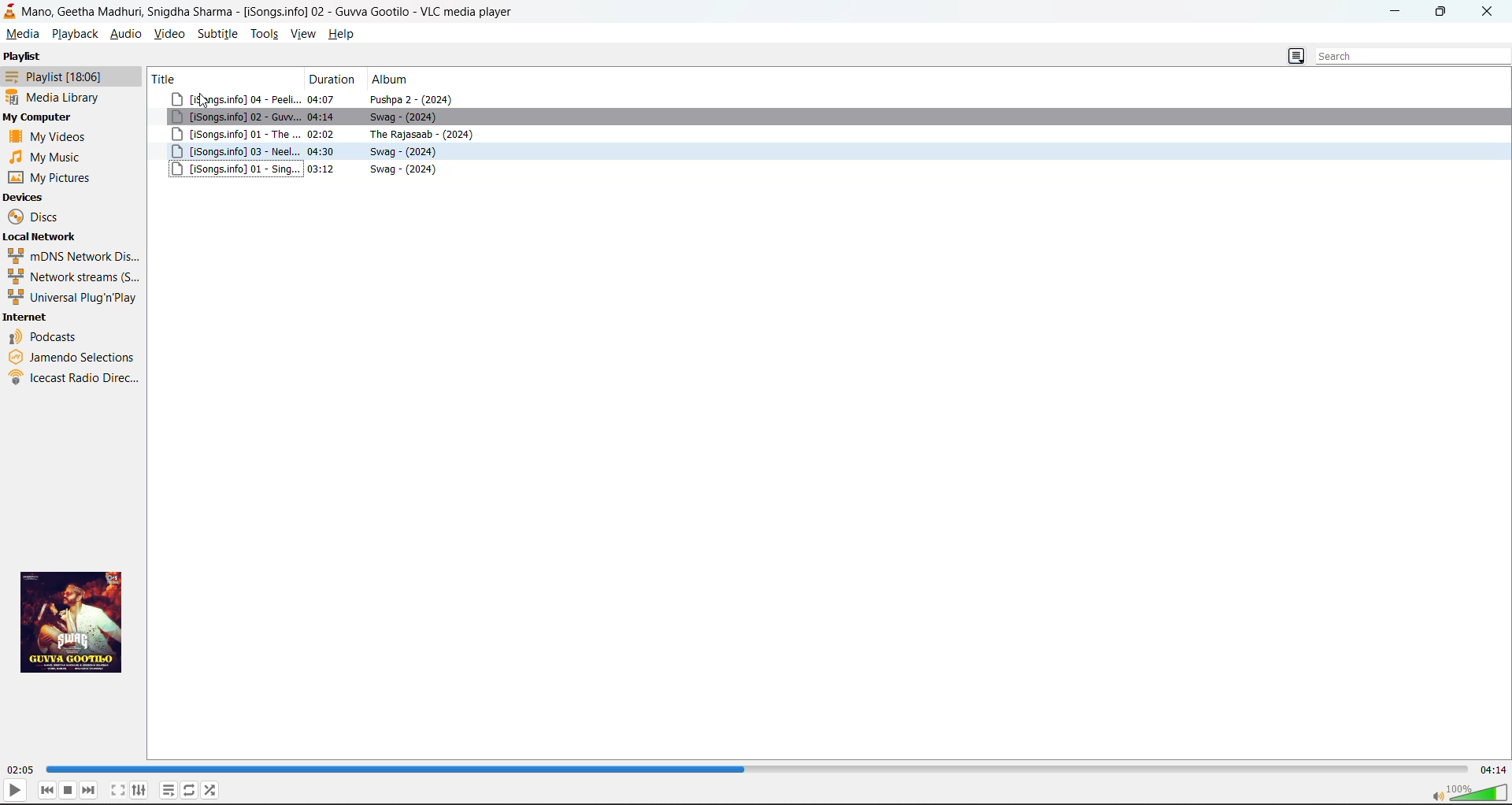 Image resolution: width=1512 pixels, height=805 pixels. I want to click on videos, so click(51, 135).